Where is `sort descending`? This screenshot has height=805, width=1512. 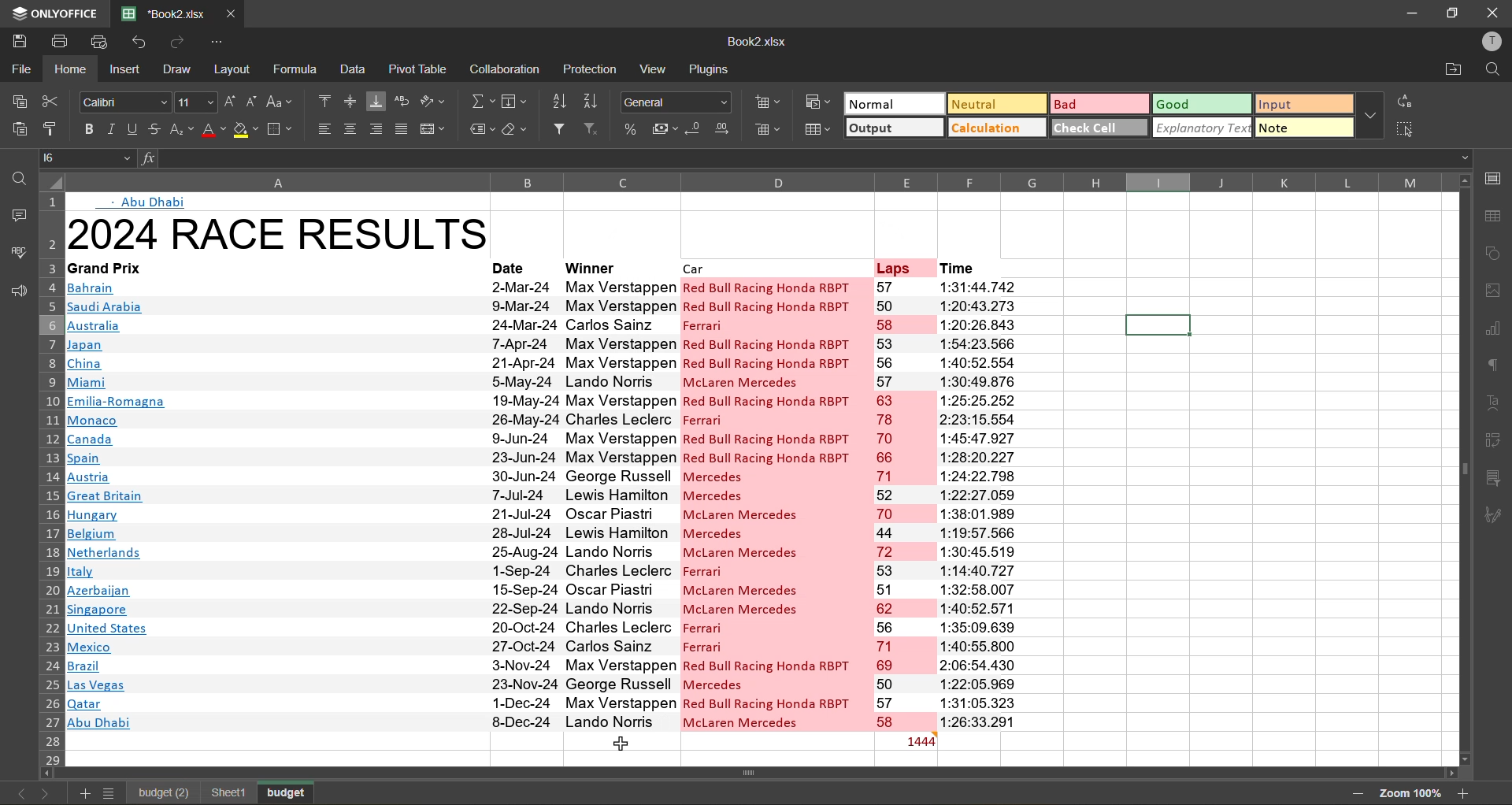
sort descending is located at coordinates (596, 101).